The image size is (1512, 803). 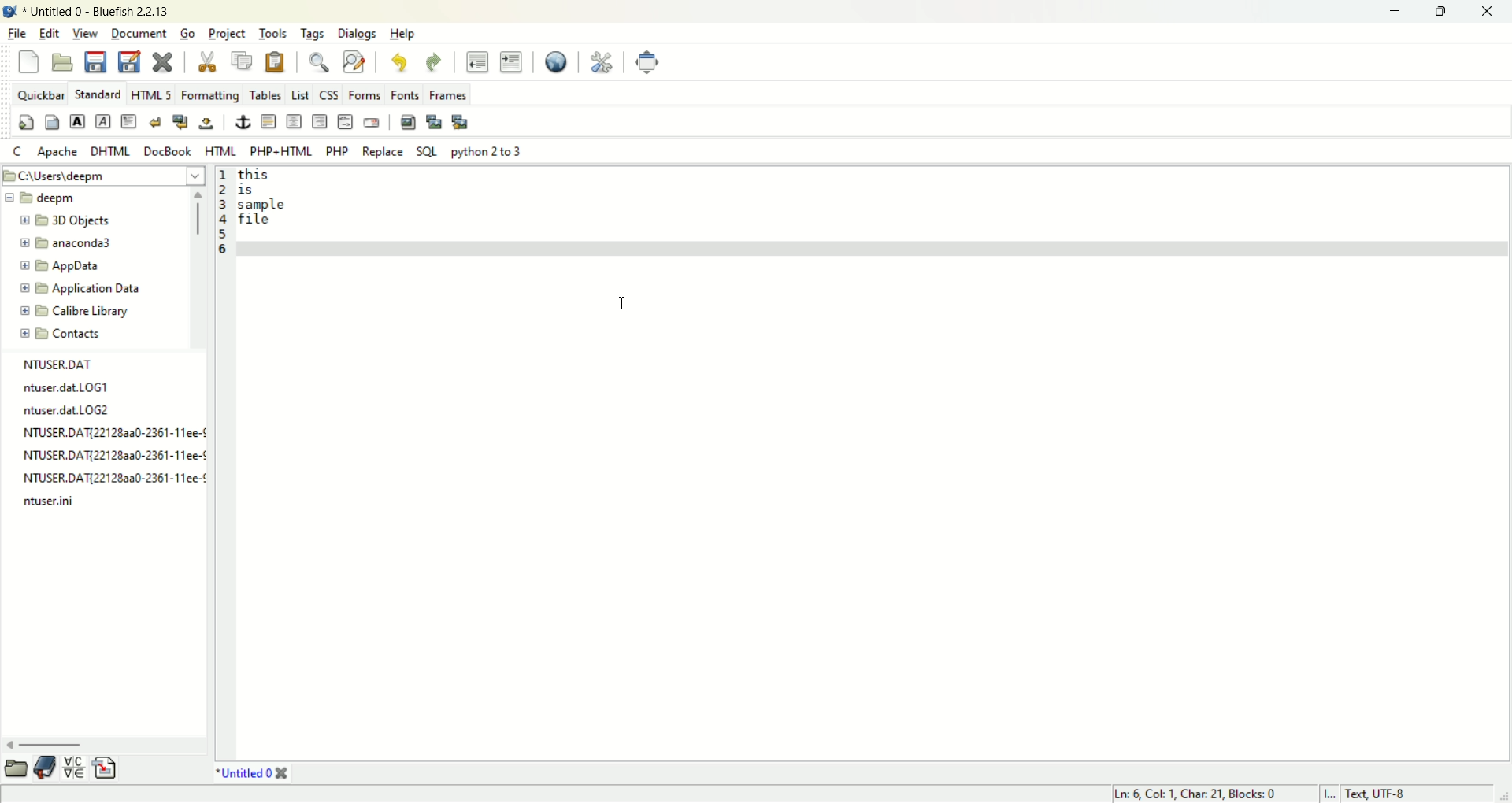 What do you see at coordinates (319, 121) in the screenshot?
I see `right justify` at bounding box center [319, 121].